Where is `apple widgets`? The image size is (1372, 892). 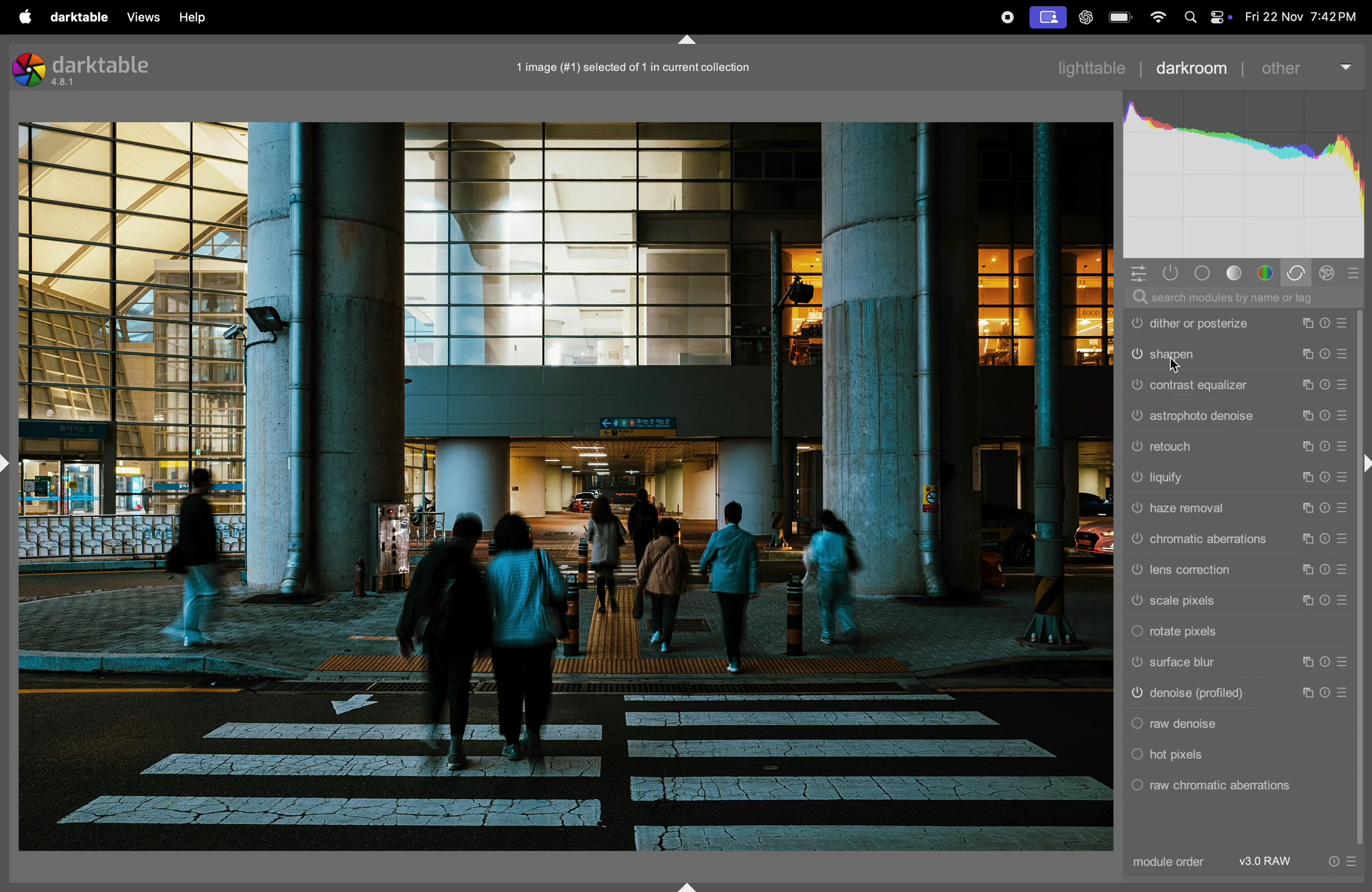
apple widgets is located at coordinates (1220, 17).